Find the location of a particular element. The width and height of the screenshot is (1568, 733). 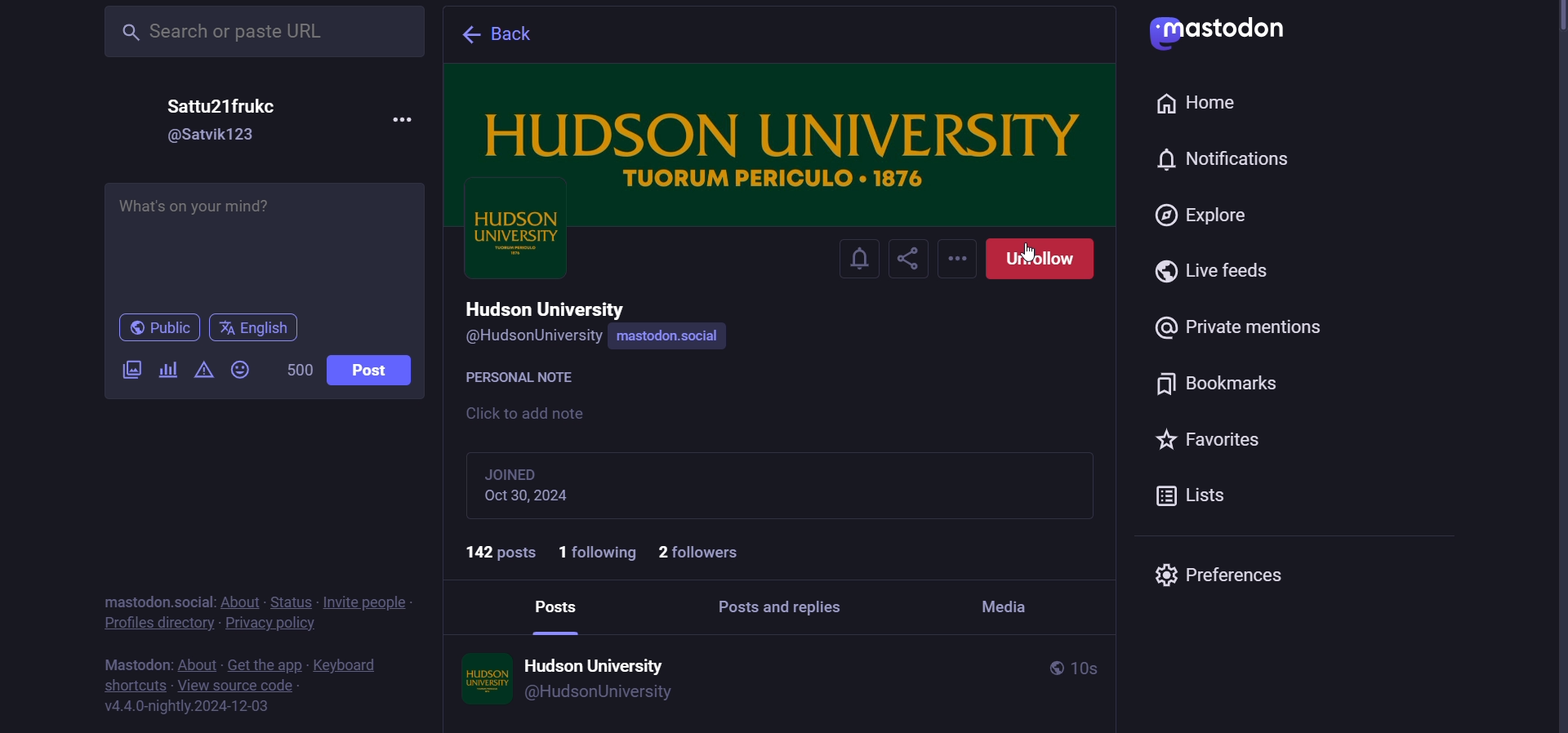

back is located at coordinates (505, 36).